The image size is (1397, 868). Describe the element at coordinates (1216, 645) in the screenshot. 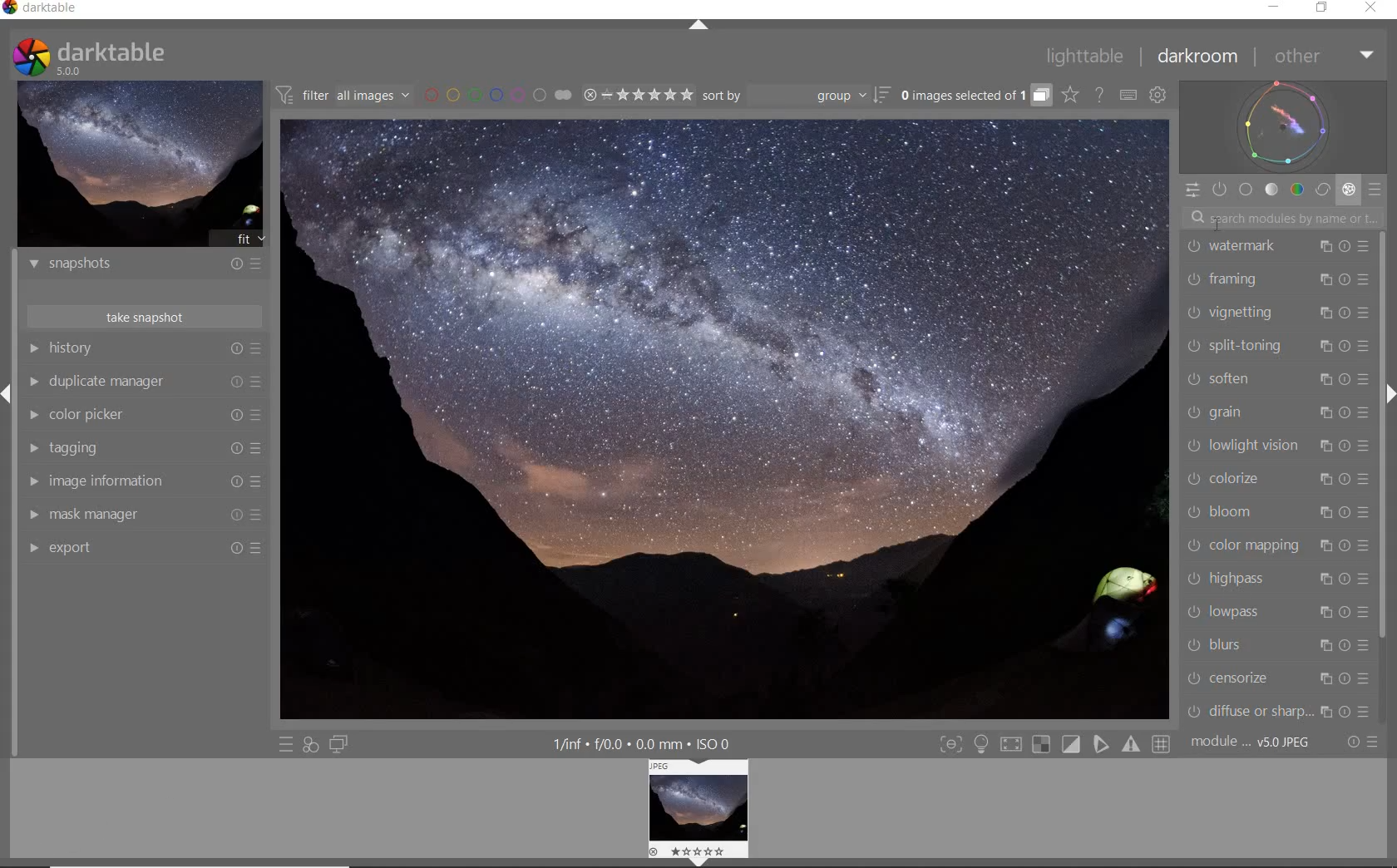

I see `BLURS` at that location.